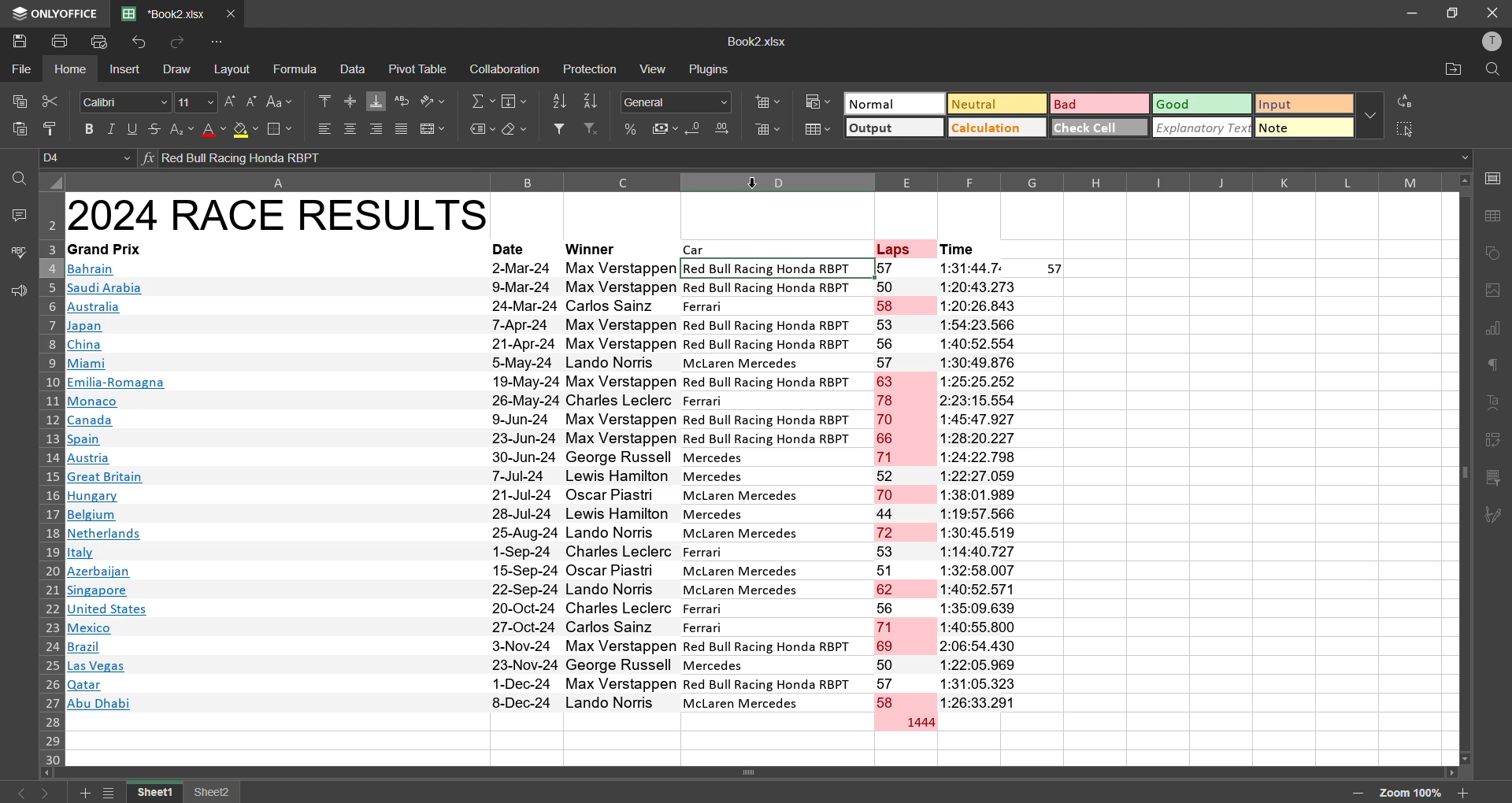 The height and width of the screenshot is (803, 1512). I want to click on save, so click(19, 39).